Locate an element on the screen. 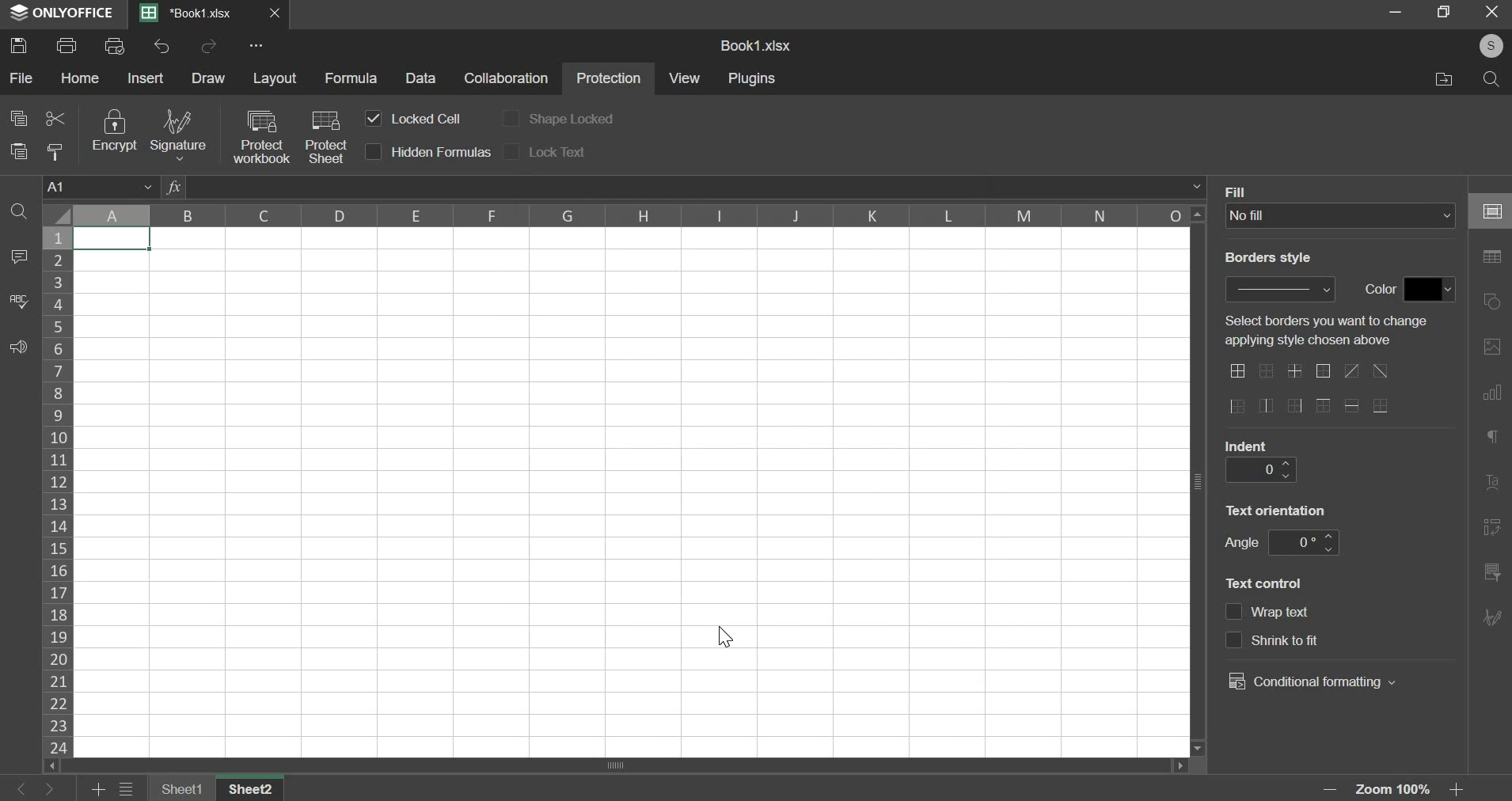 The image size is (1512, 801). encrypt is located at coordinates (113, 131).